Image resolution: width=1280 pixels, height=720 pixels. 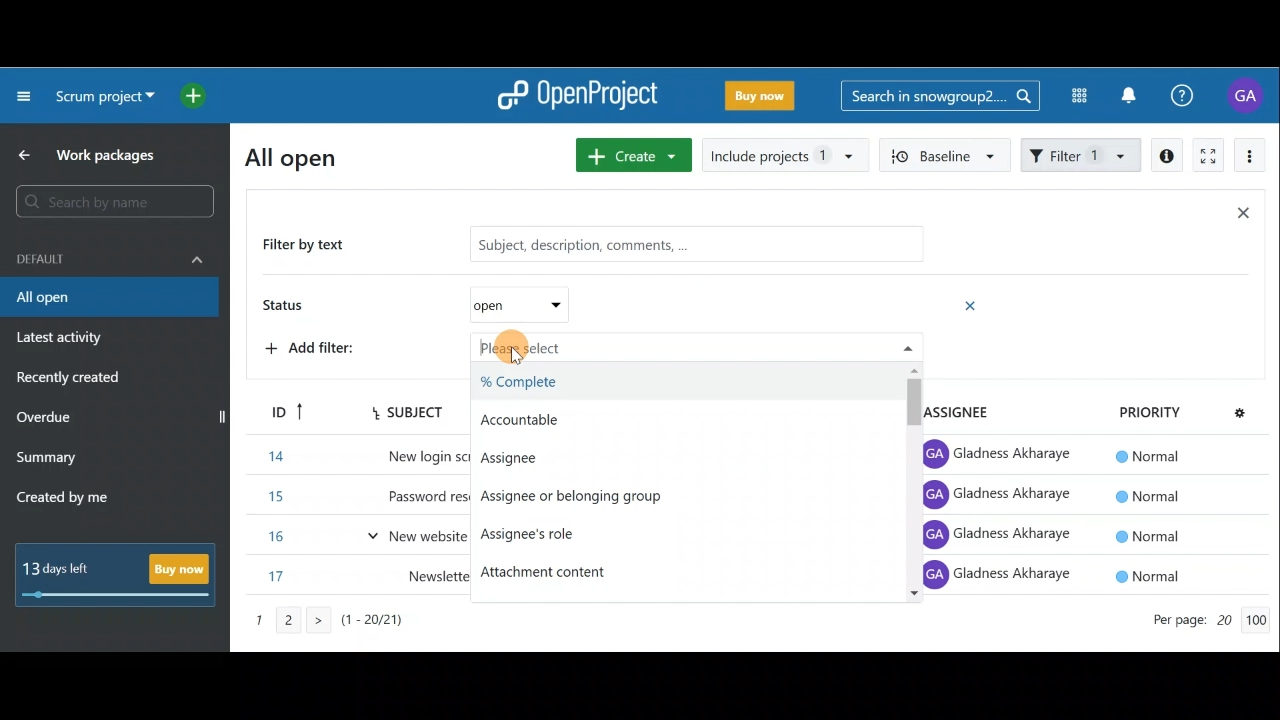 What do you see at coordinates (284, 410) in the screenshot?
I see `ID` at bounding box center [284, 410].